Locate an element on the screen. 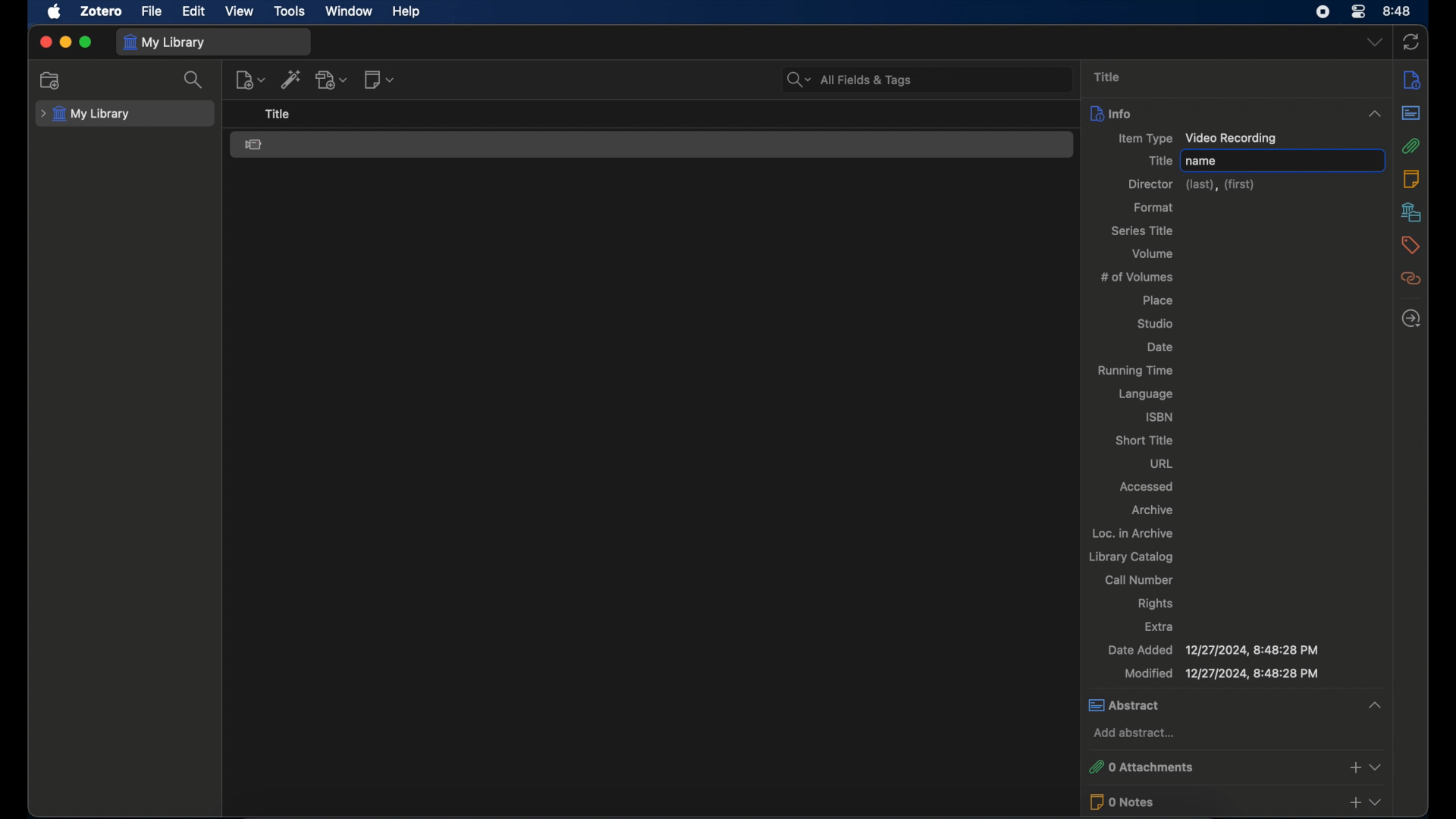  abstract is located at coordinates (1410, 112).